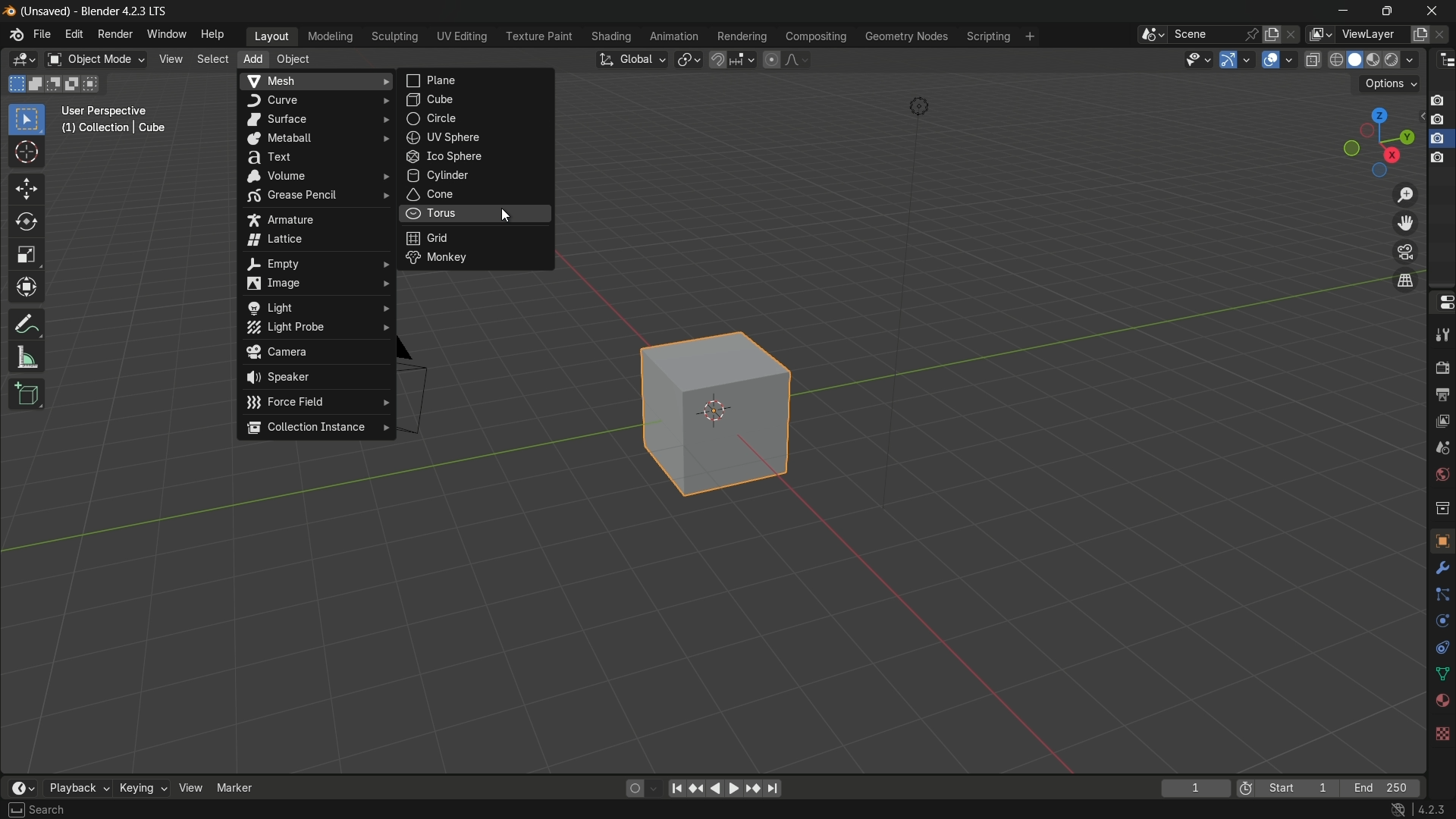 This screenshot has width=1456, height=819. Describe the element at coordinates (695, 789) in the screenshot. I see `jump to keyframe` at that location.